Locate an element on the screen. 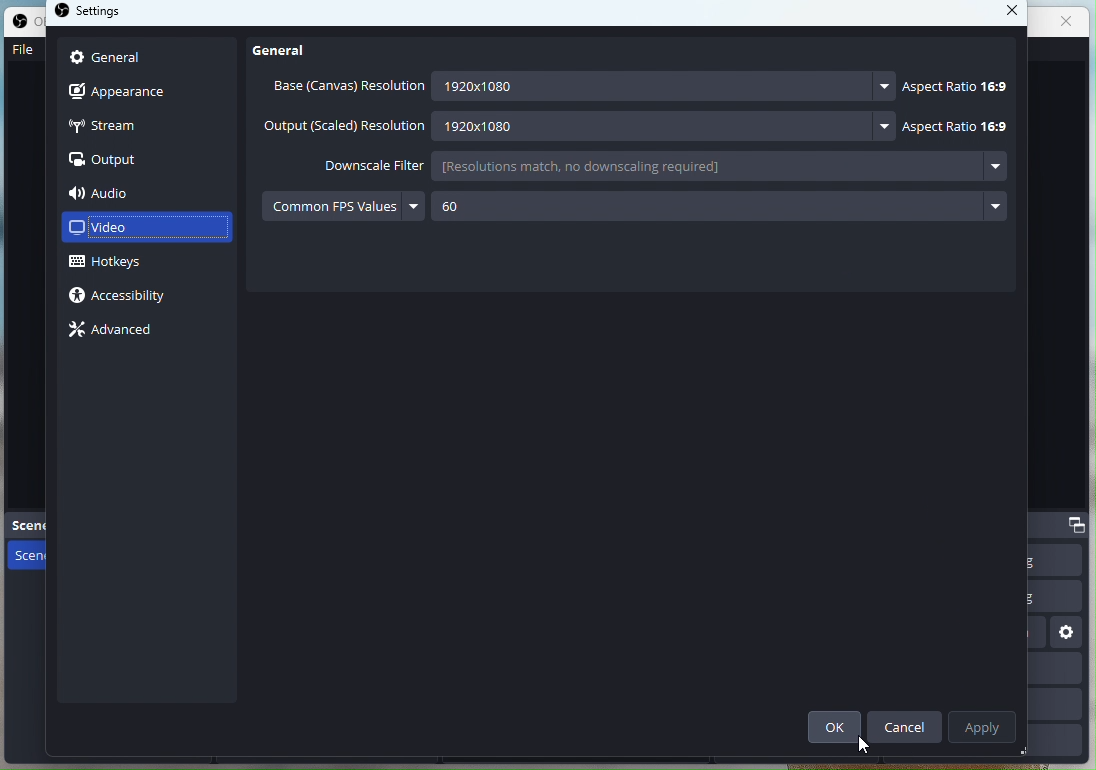  OBS studio logo is located at coordinates (23, 24).